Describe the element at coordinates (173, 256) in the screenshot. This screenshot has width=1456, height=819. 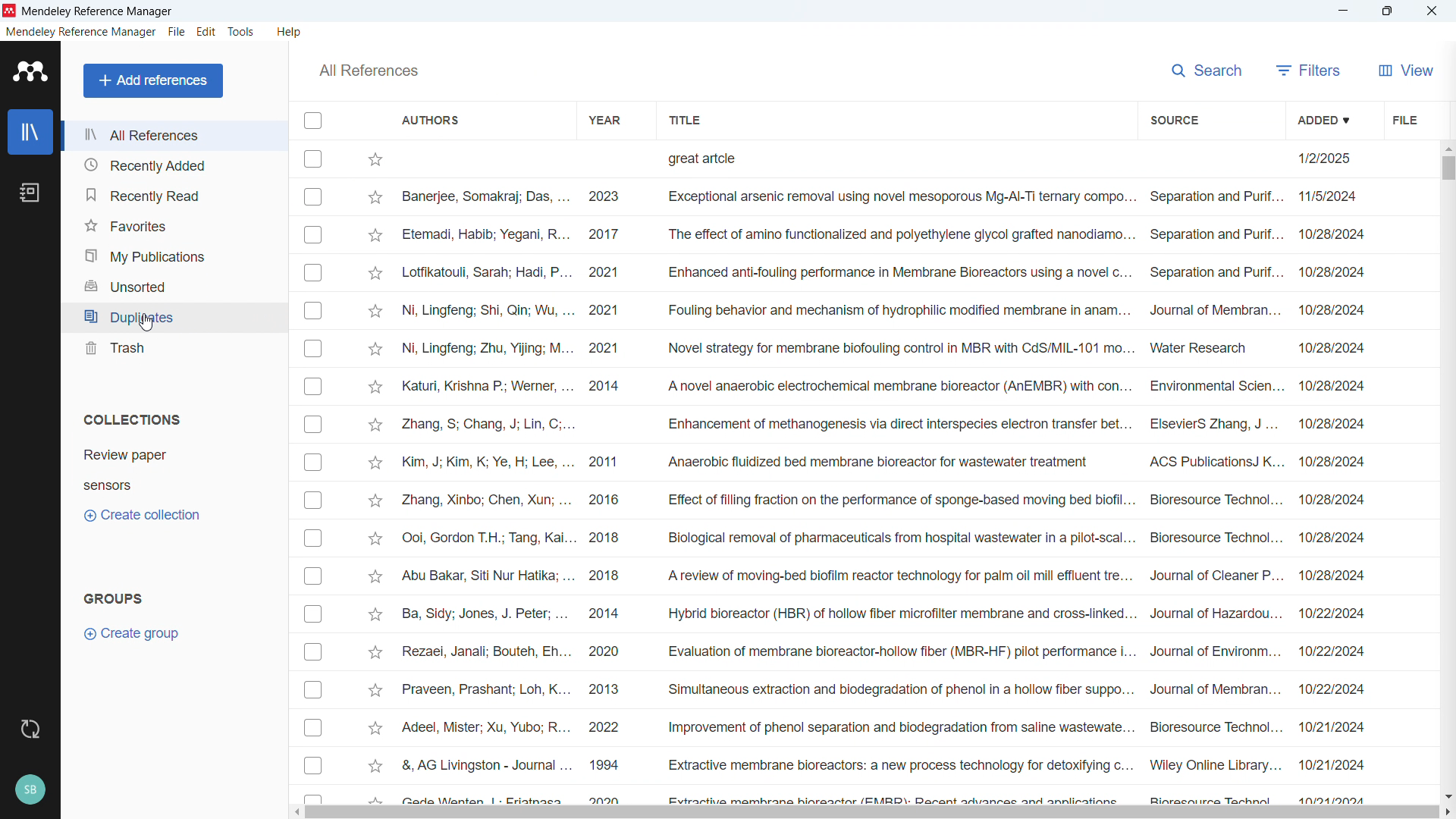
I see `My publications ` at that location.